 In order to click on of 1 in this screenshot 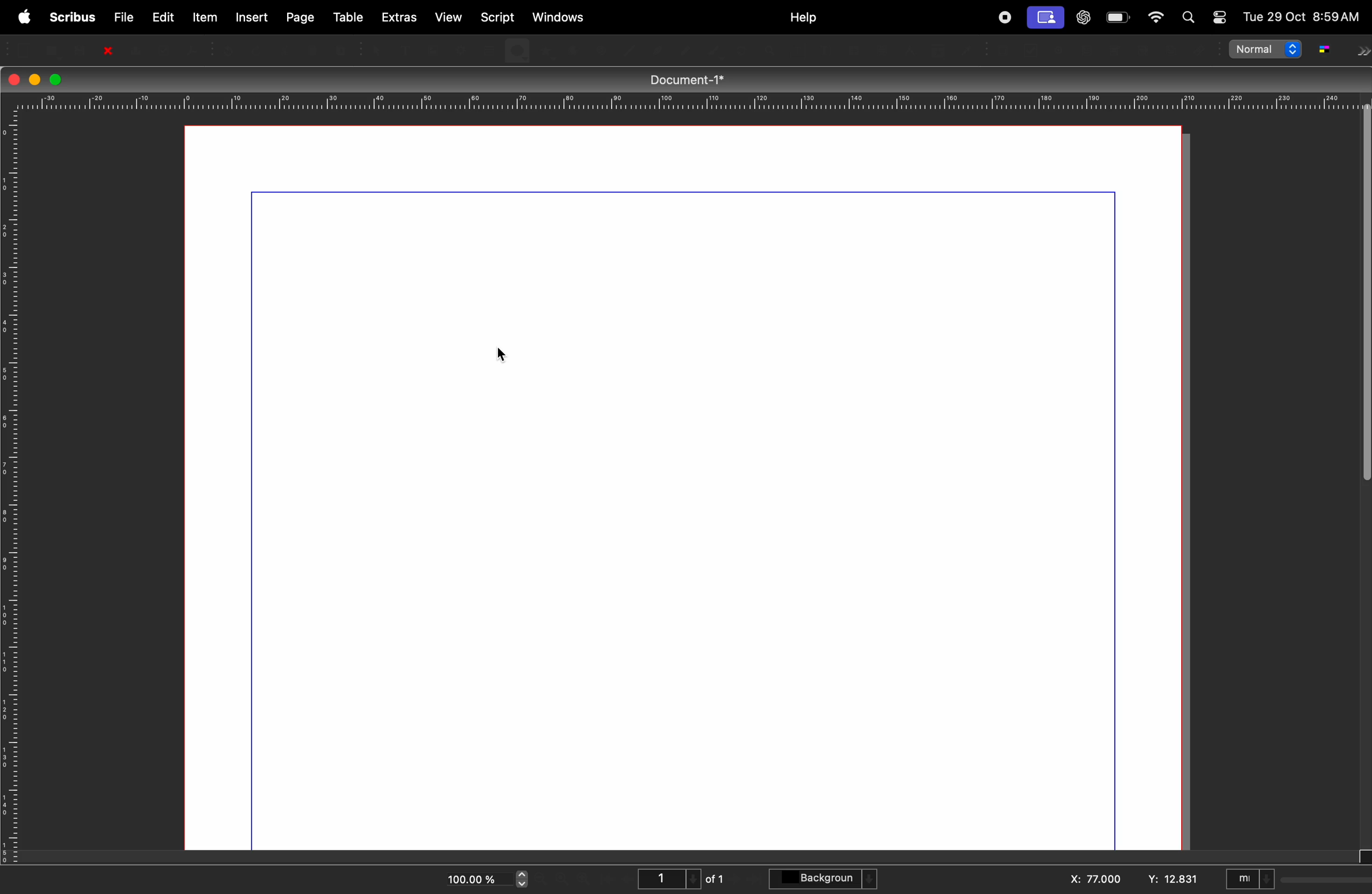, I will do `click(717, 878)`.